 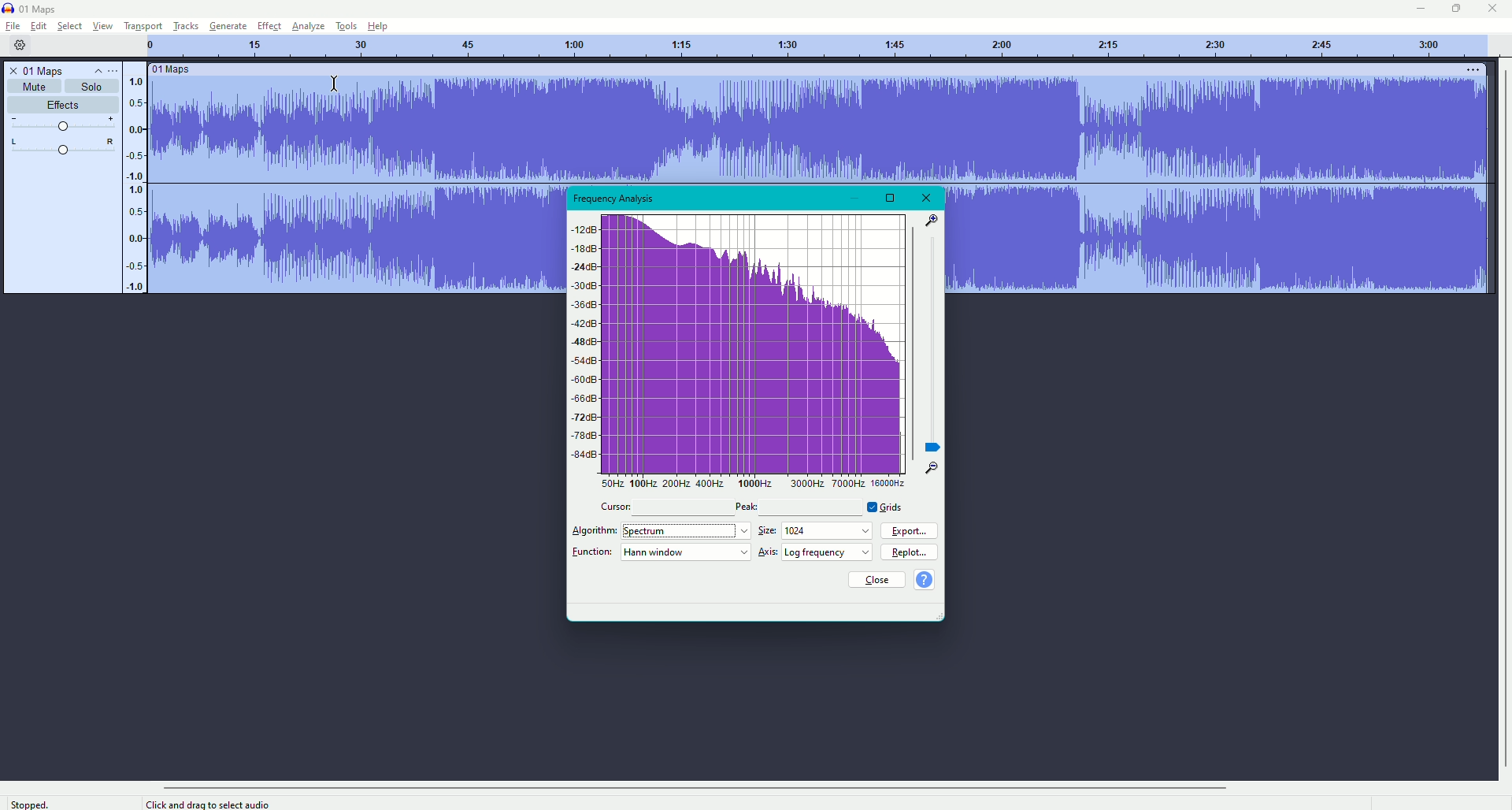 I want to click on sound track, so click(x=358, y=180).